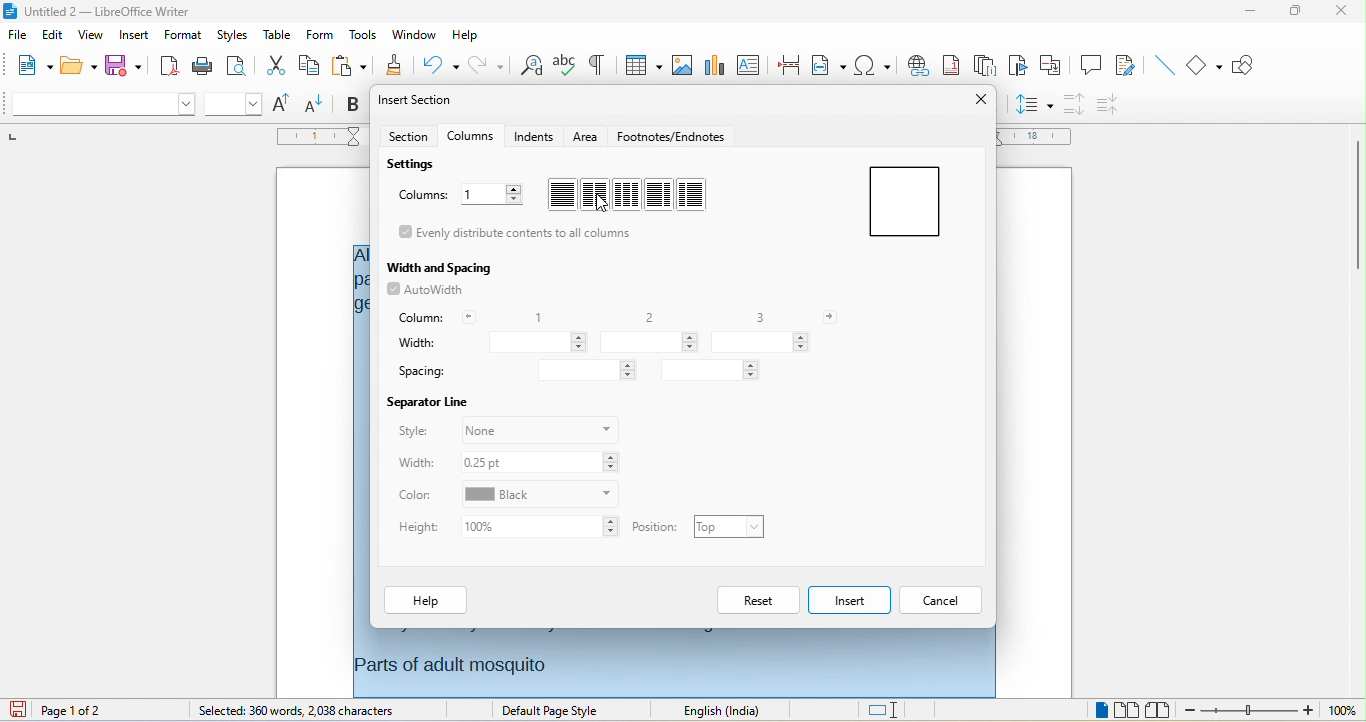 Image resolution: width=1366 pixels, height=722 pixels. Describe the element at coordinates (473, 136) in the screenshot. I see `columns` at that location.